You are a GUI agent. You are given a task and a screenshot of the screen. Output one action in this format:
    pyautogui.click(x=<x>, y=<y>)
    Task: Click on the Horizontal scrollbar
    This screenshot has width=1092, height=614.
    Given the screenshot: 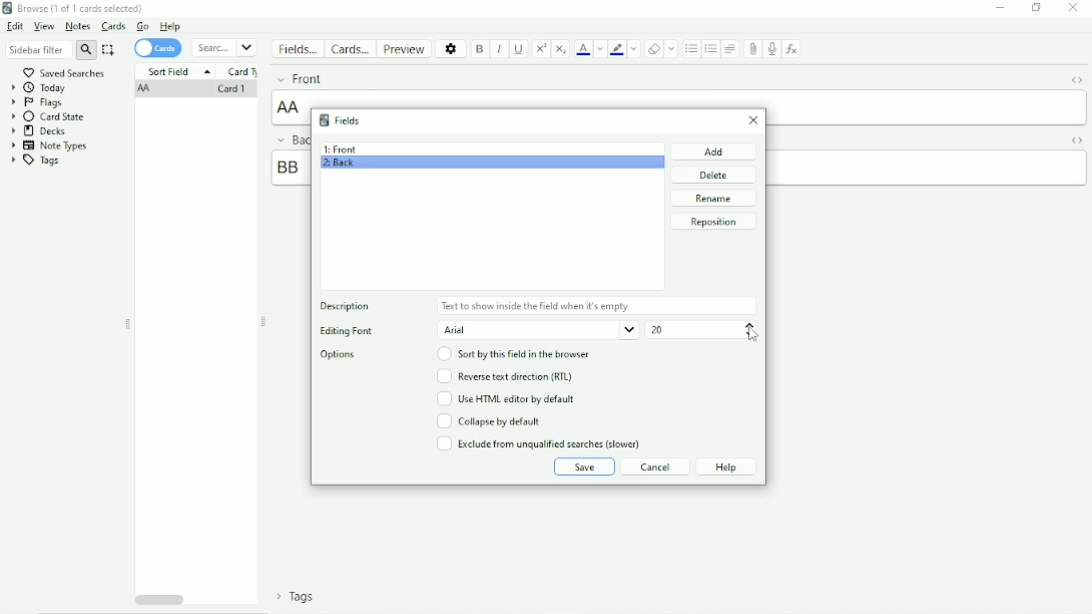 What is the action you would take?
    pyautogui.click(x=160, y=598)
    